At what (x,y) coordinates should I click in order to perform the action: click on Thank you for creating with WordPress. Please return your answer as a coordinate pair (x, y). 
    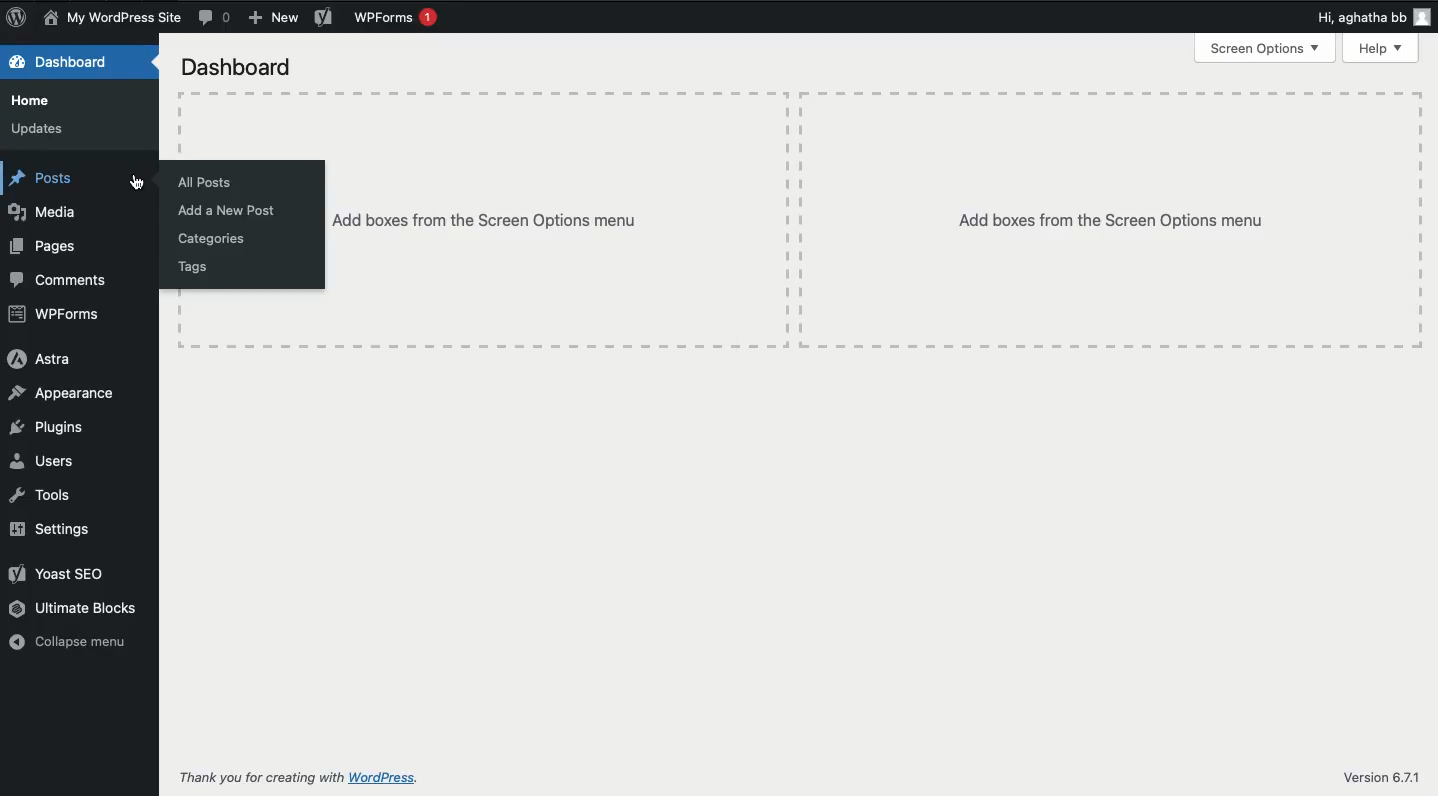
    Looking at the image, I should click on (295, 780).